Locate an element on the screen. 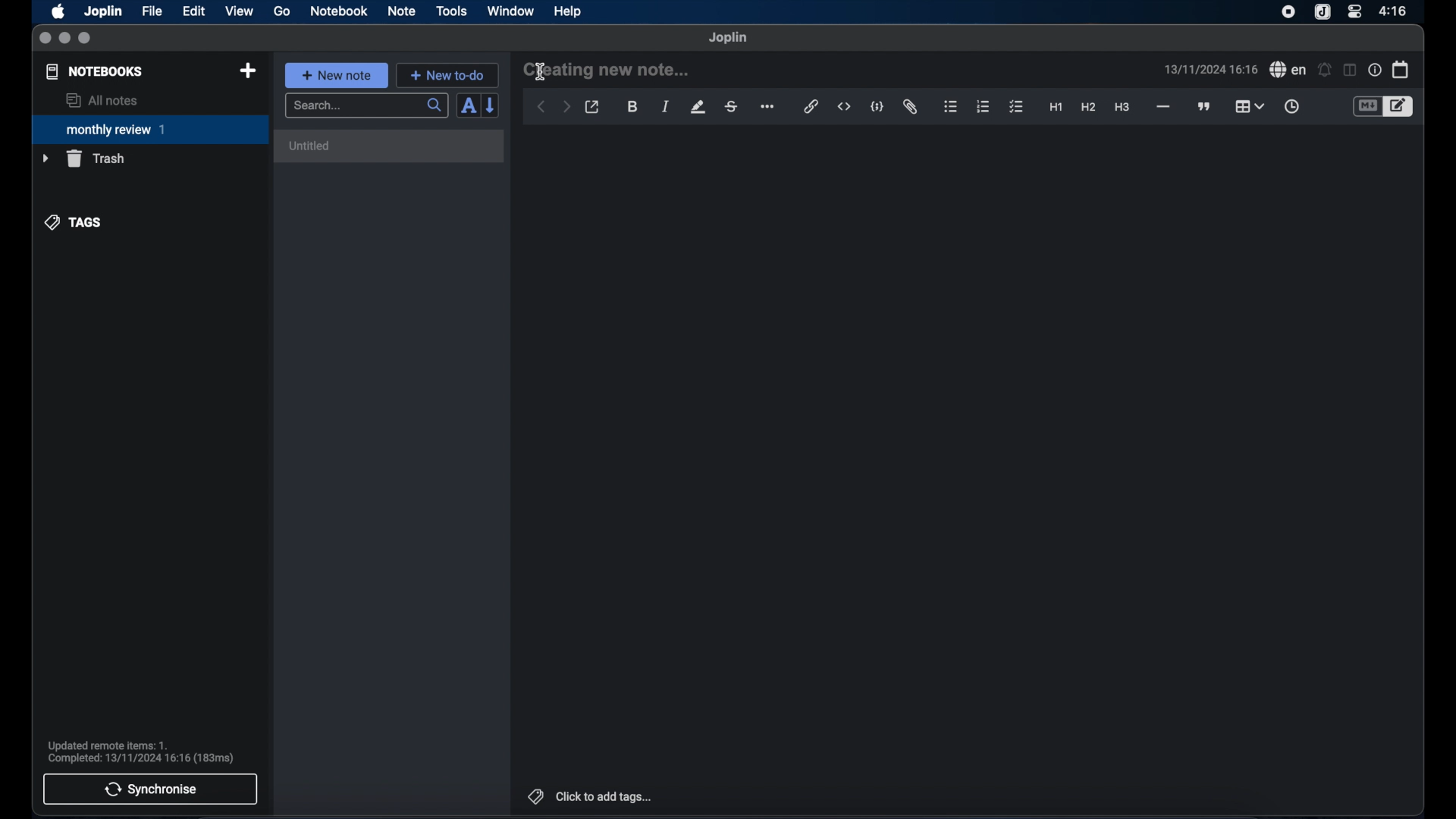 The width and height of the screenshot is (1456, 819). horizontal rule is located at coordinates (1162, 107).